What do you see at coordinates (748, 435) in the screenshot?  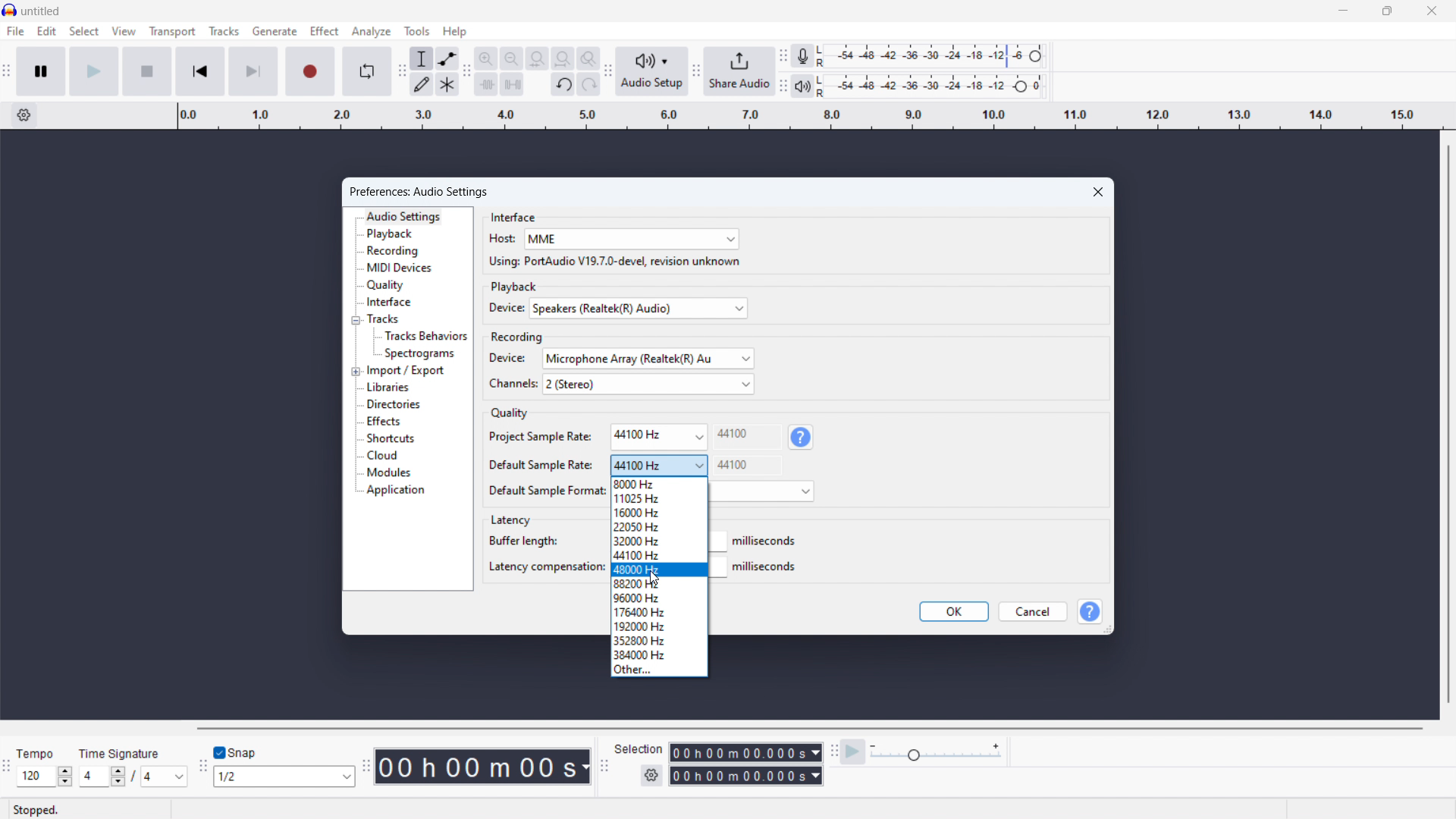 I see `44100` at bounding box center [748, 435].